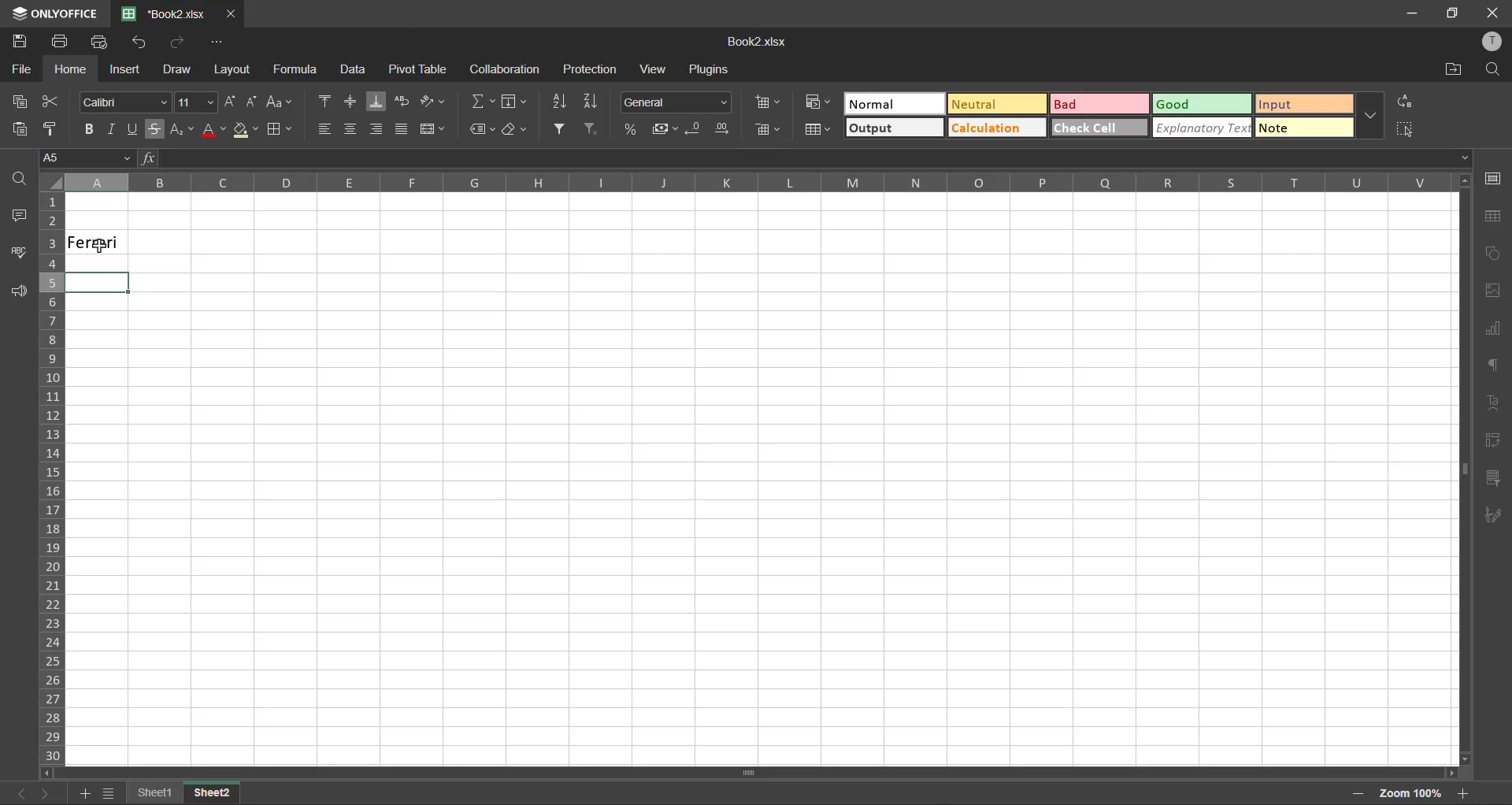 This screenshot has width=1512, height=805. What do you see at coordinates (80, 793) in the screenshot?
I see `add sheet` at bounding box center [80, 793].